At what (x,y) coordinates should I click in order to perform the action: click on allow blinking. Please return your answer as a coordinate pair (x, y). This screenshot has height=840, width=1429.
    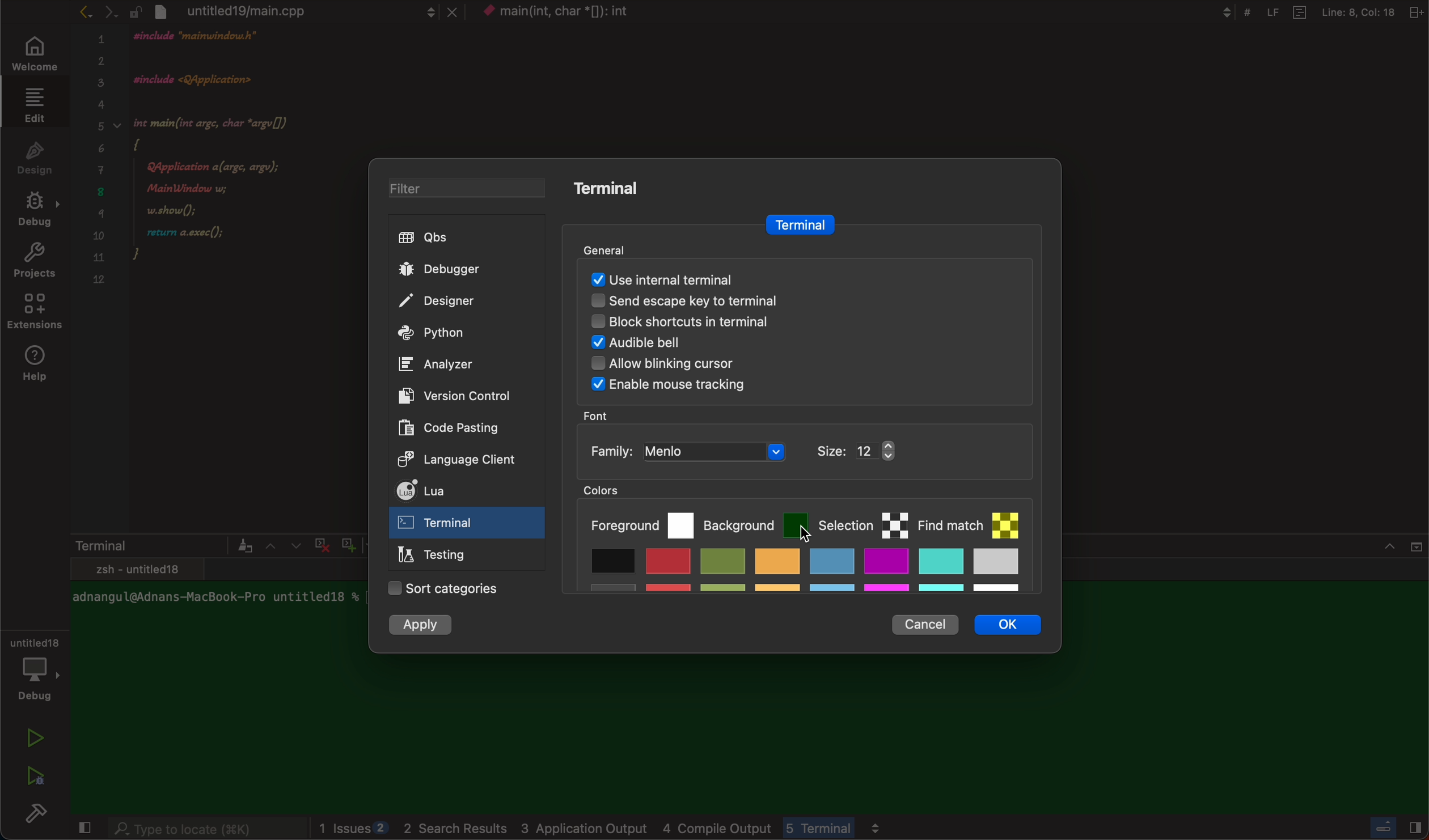
    Looking at the image, I should click on (755, 367).